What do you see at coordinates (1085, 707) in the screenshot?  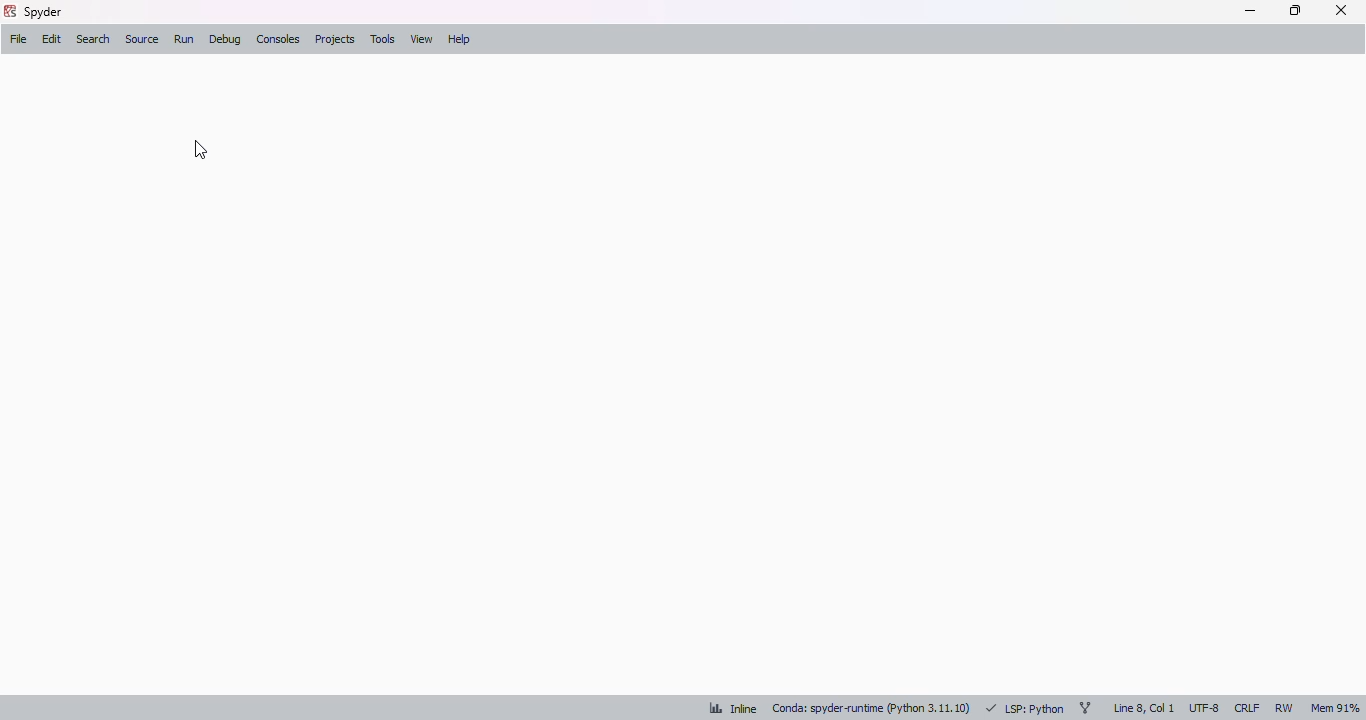 I see `git branch` at bounding box center [1085, 707].